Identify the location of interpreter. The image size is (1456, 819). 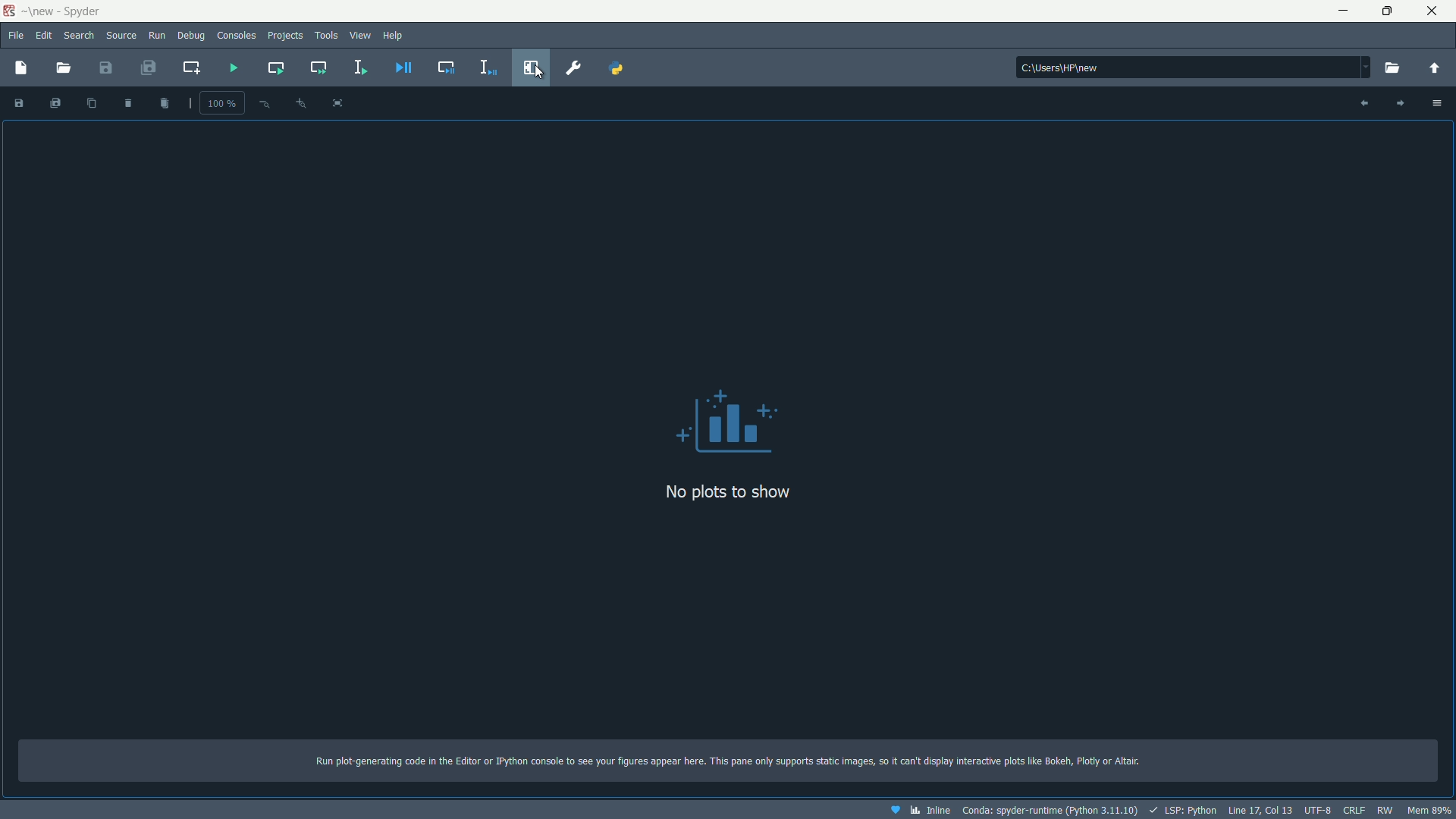
(1048, 811).